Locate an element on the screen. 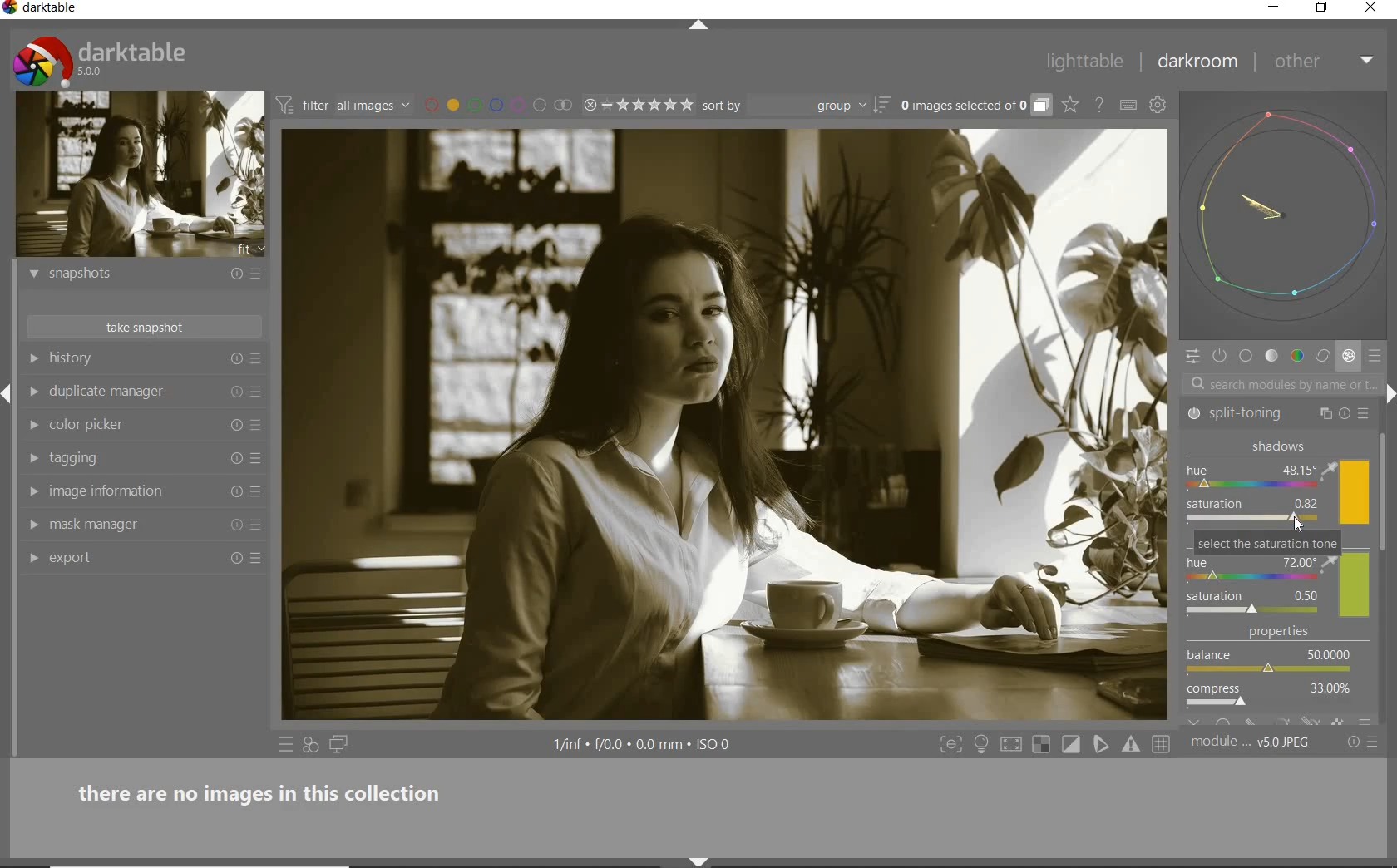 This screenshot has height=868, width=1397. expand/collapse is located at coordinates (706, 26).